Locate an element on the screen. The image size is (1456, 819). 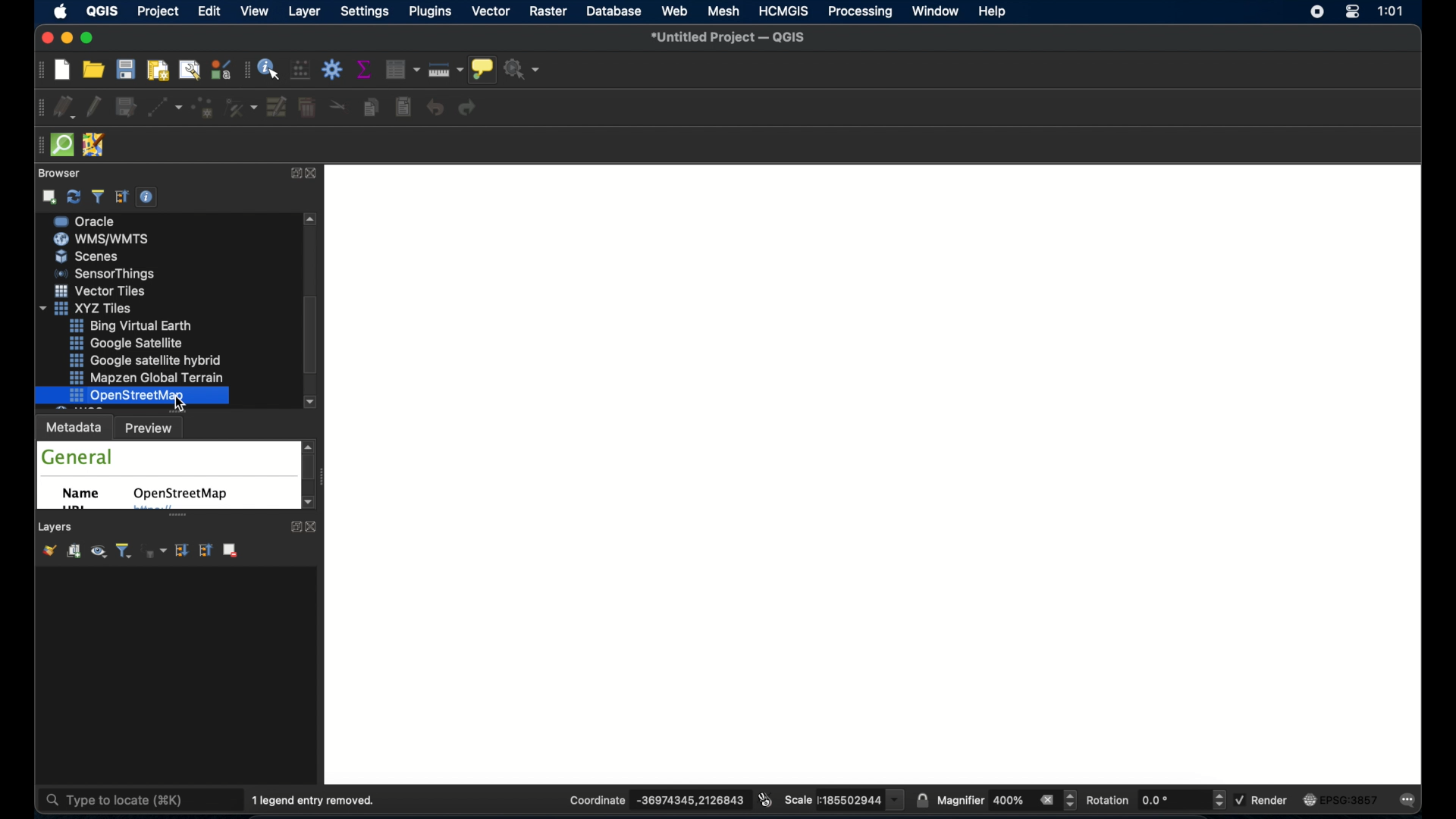
collapse all is located at coordinates (122, 197).